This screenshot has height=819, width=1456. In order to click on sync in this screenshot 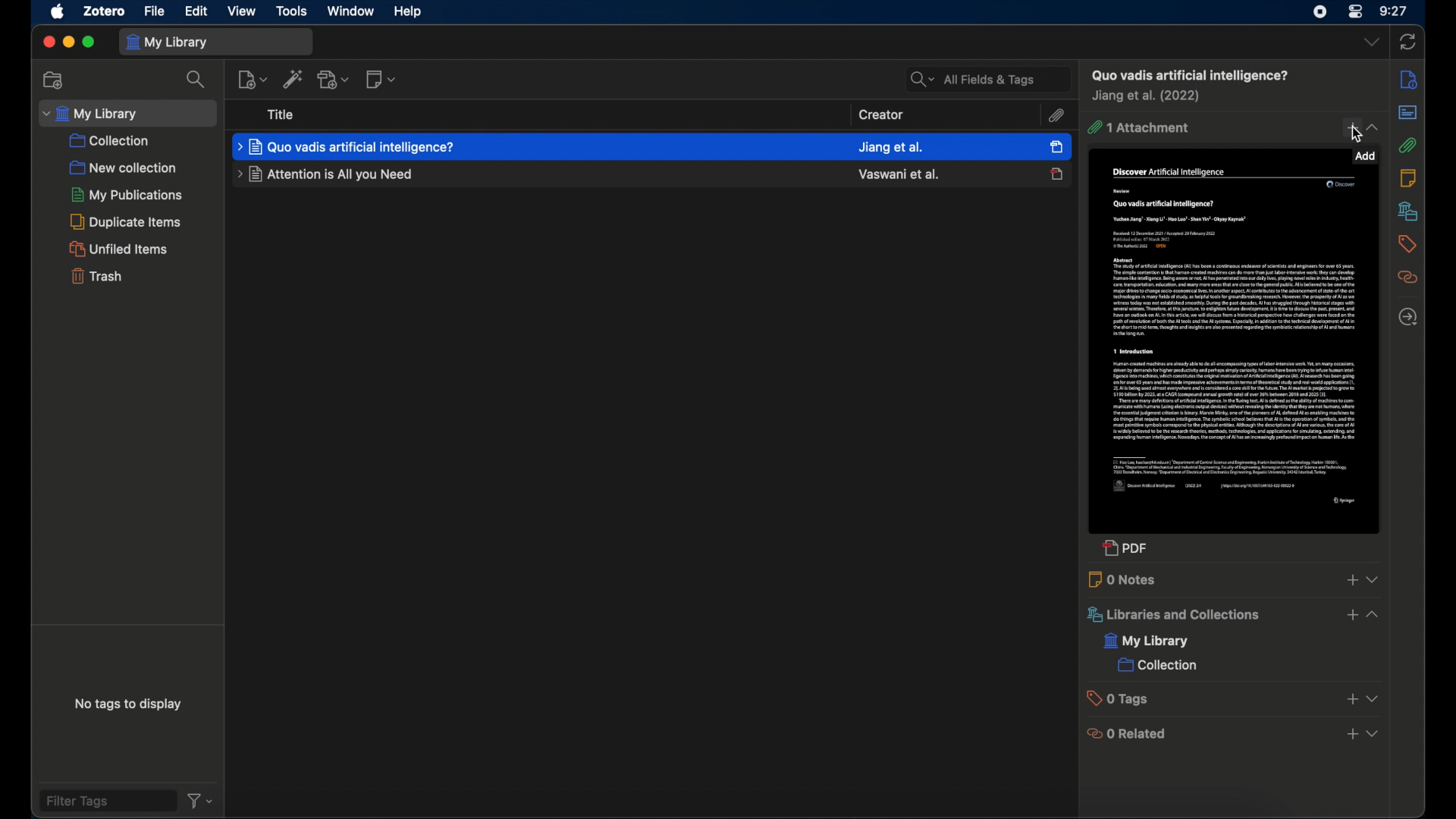, I will do `click(1407, 41)`.